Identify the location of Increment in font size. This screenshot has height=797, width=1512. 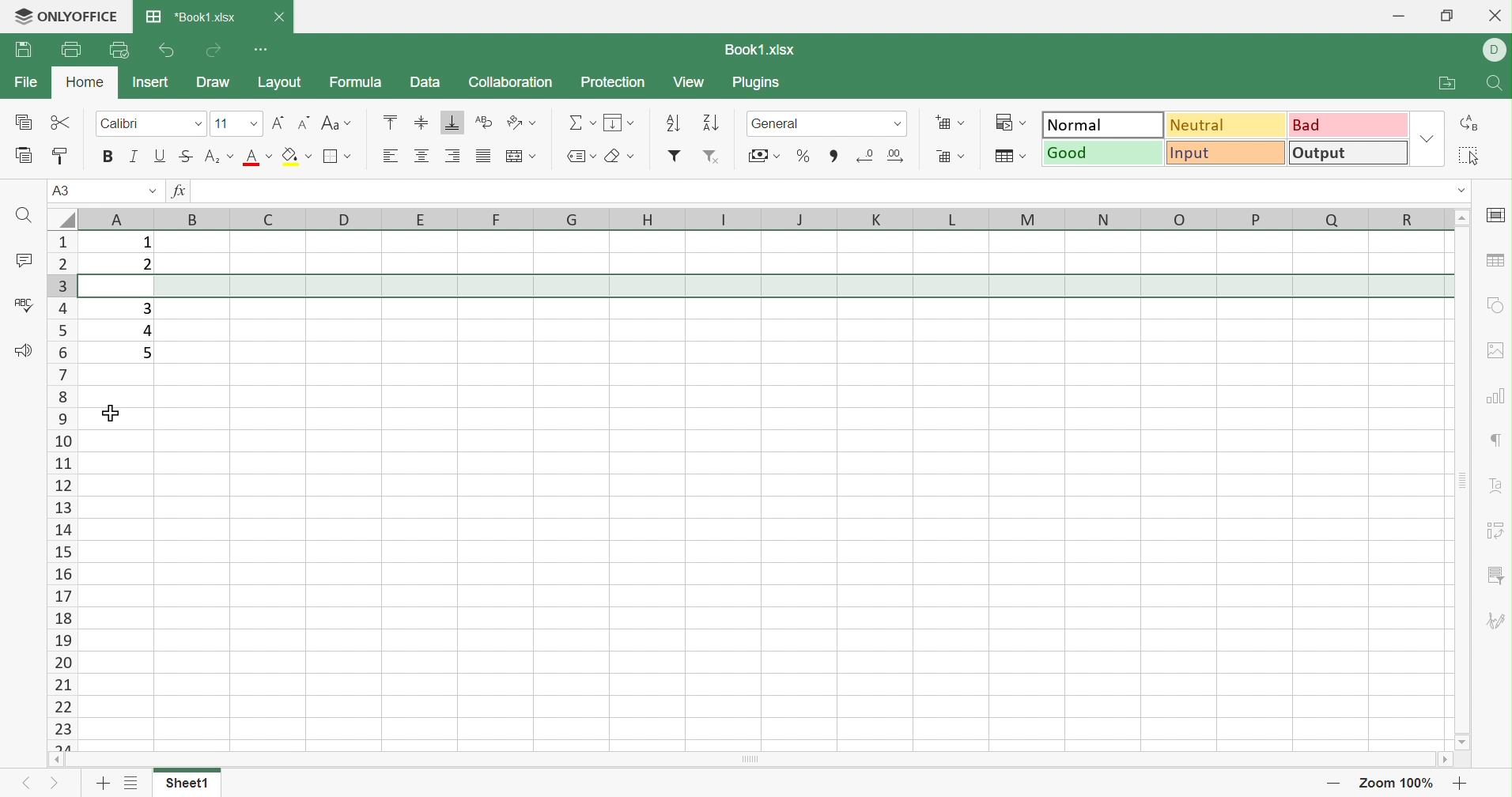
(277, 121).